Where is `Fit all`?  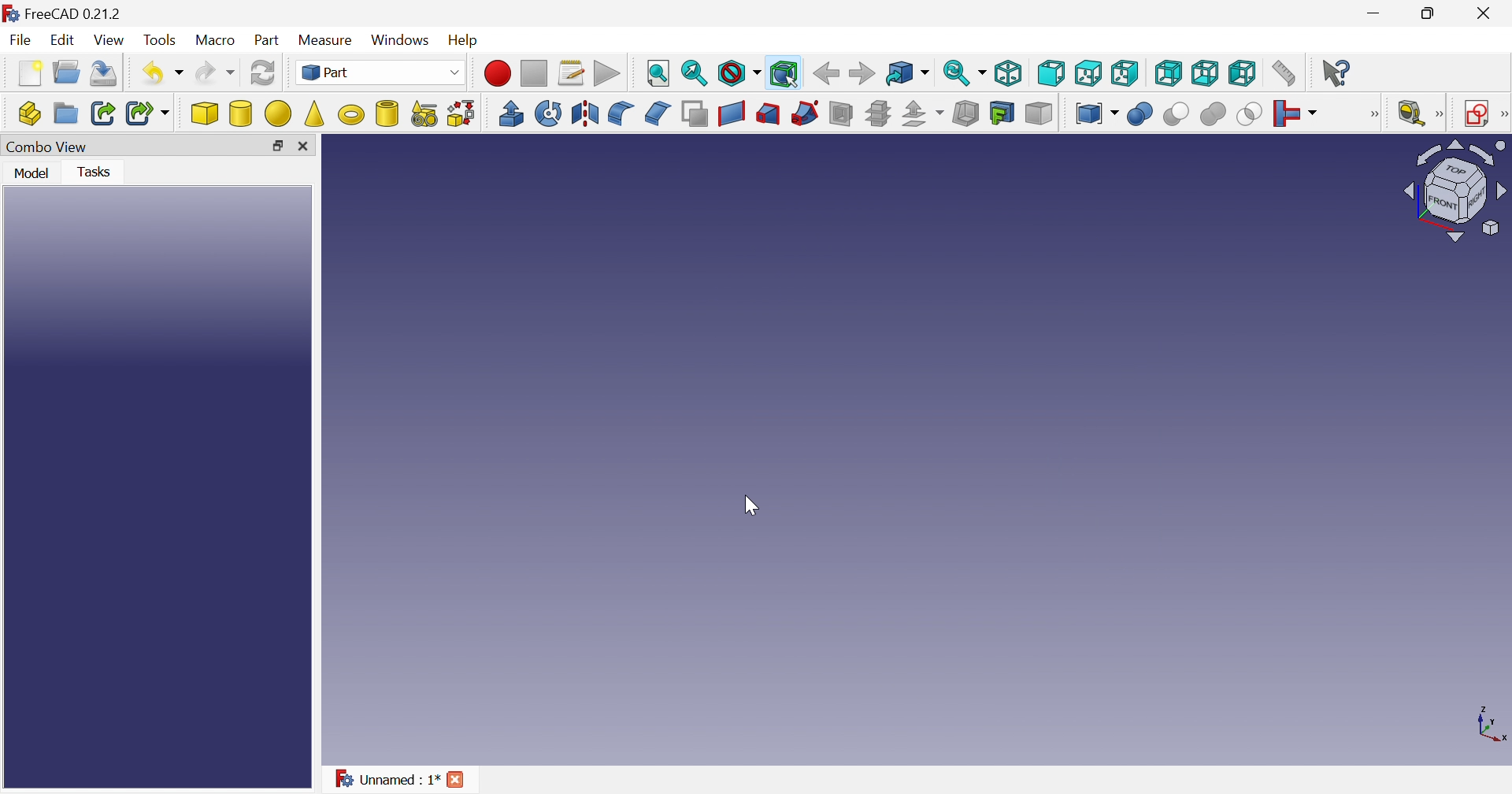 Fit all is located at coordinates (656, 74).